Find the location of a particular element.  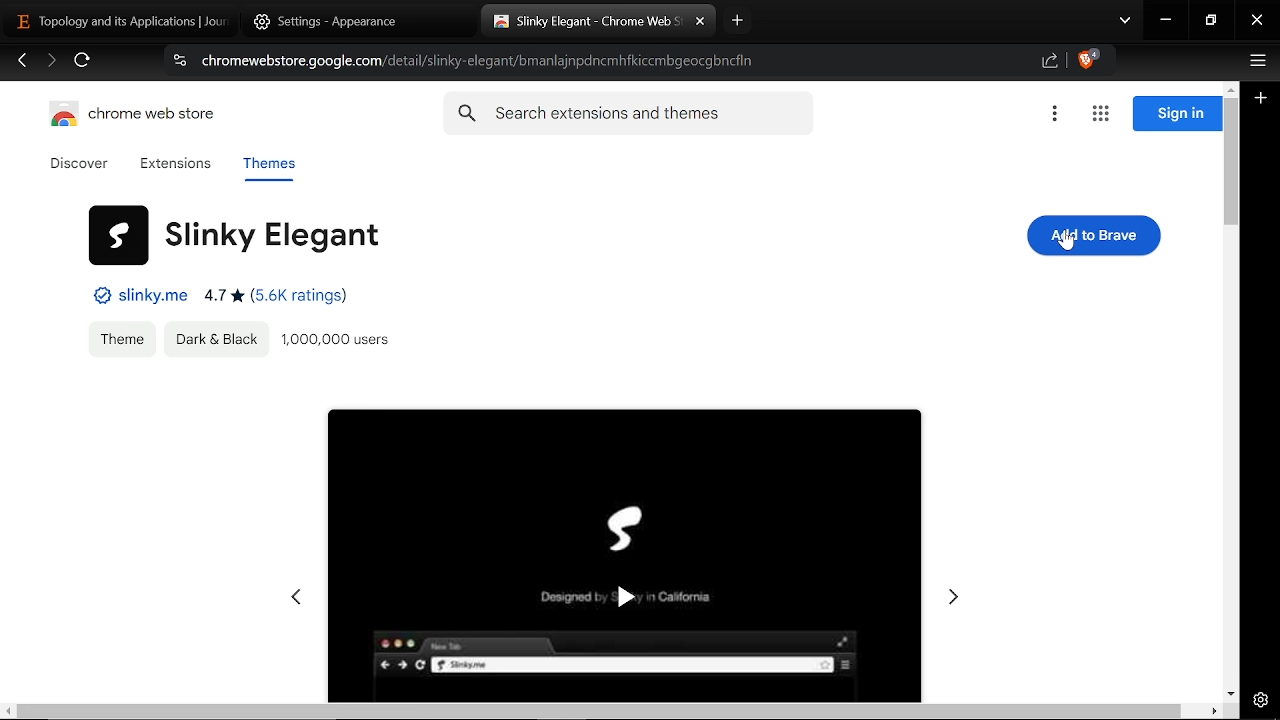

cursor is located at coordinates (1067, 242).